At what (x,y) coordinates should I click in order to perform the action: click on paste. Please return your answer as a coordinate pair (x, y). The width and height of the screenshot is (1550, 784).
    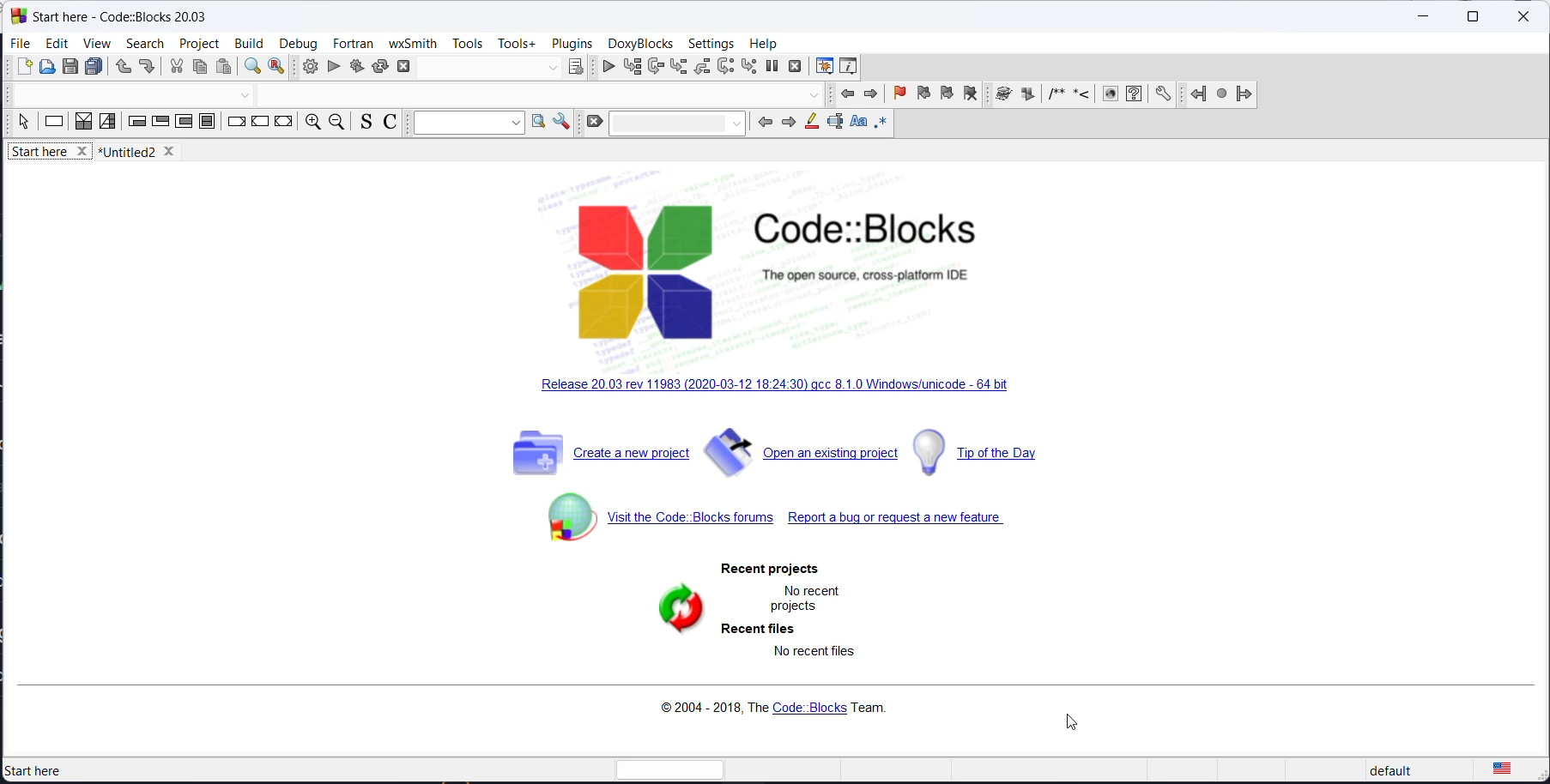
    Looking at the image, I should click on (227, 68).